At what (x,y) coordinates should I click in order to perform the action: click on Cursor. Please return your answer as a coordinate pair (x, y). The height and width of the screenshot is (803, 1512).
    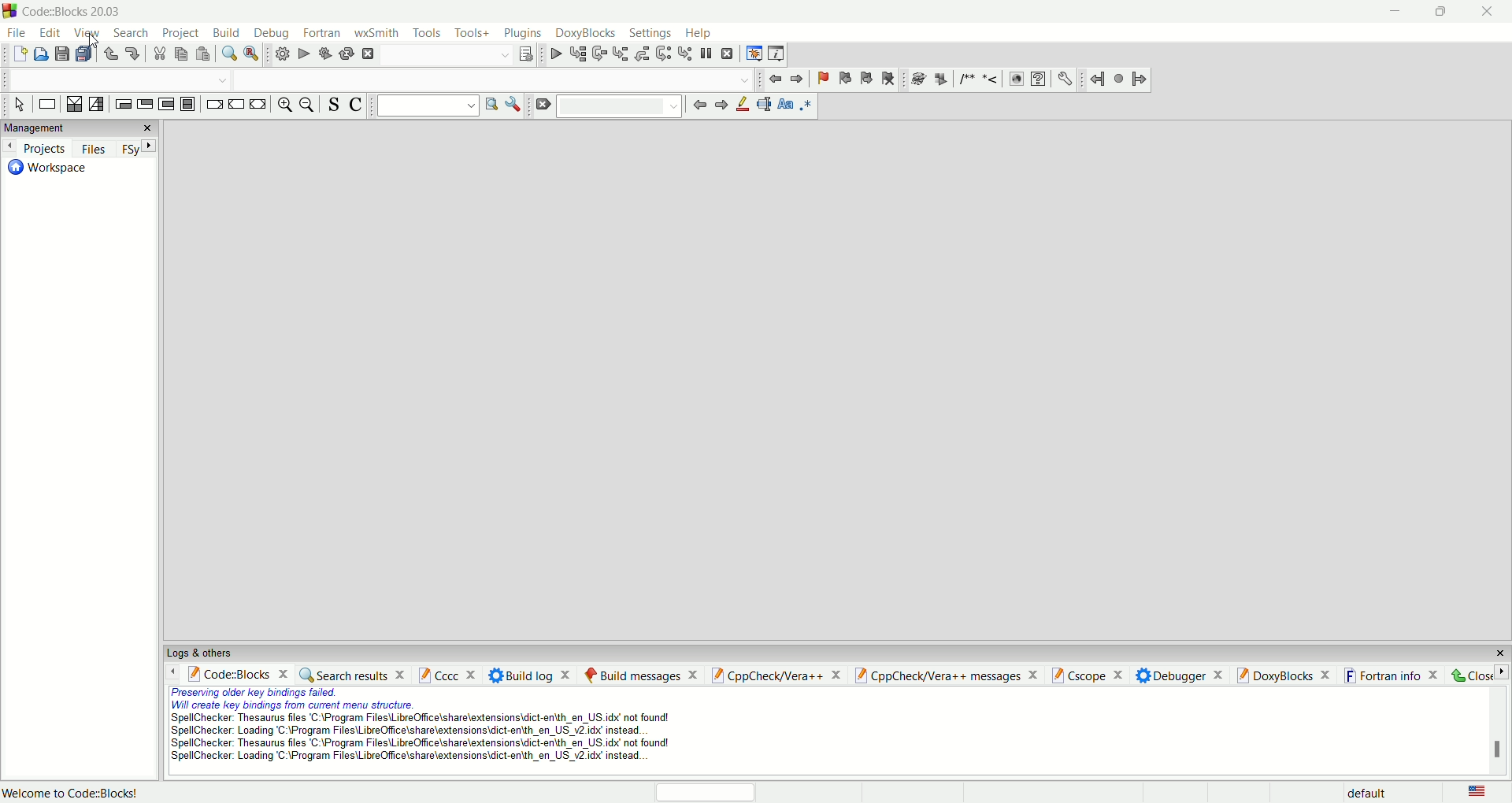
    Looking at the image, I should click on (91, 42).